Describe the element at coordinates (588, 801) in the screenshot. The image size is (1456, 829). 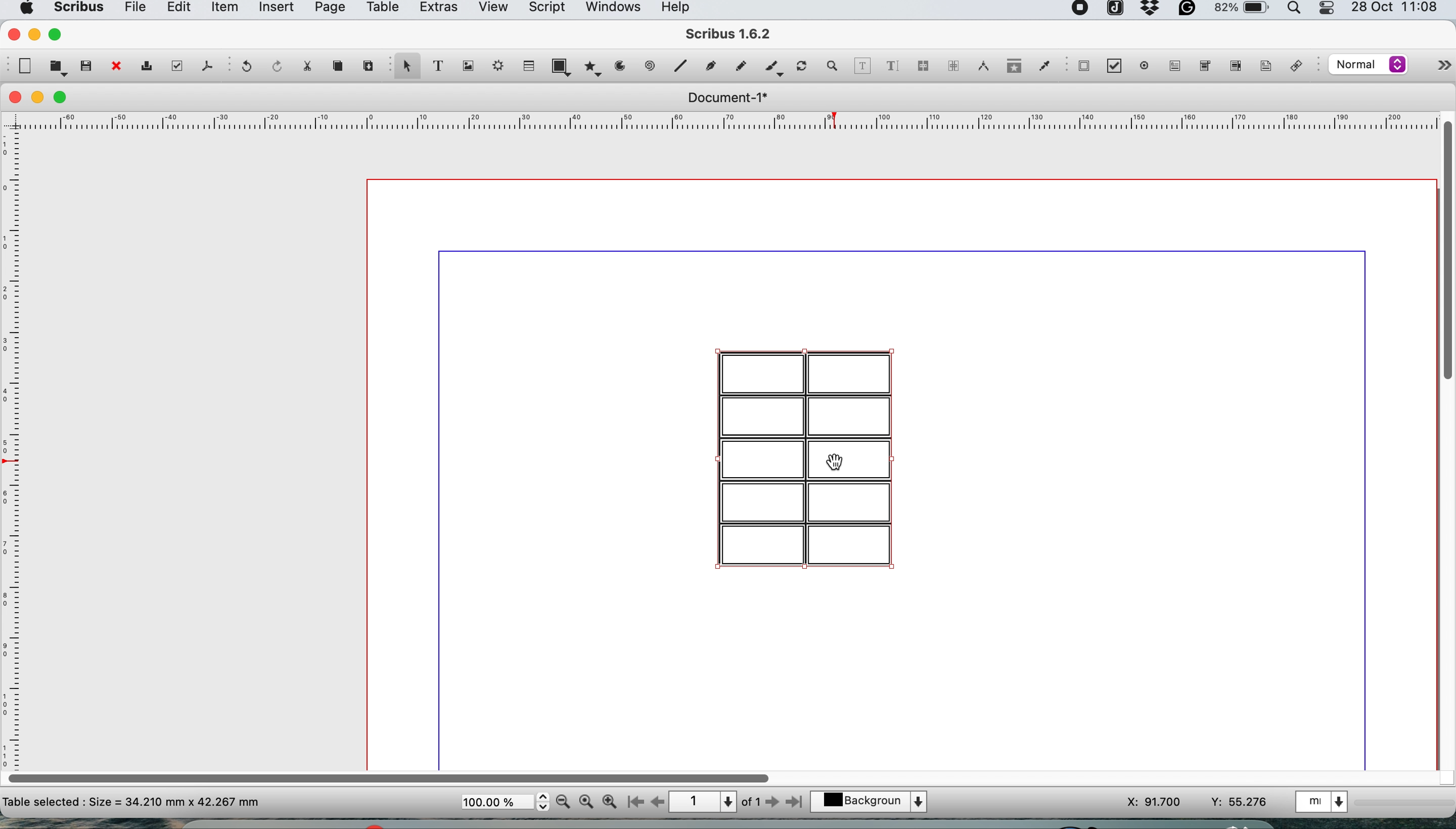
I see `zoom 100%` at that location.